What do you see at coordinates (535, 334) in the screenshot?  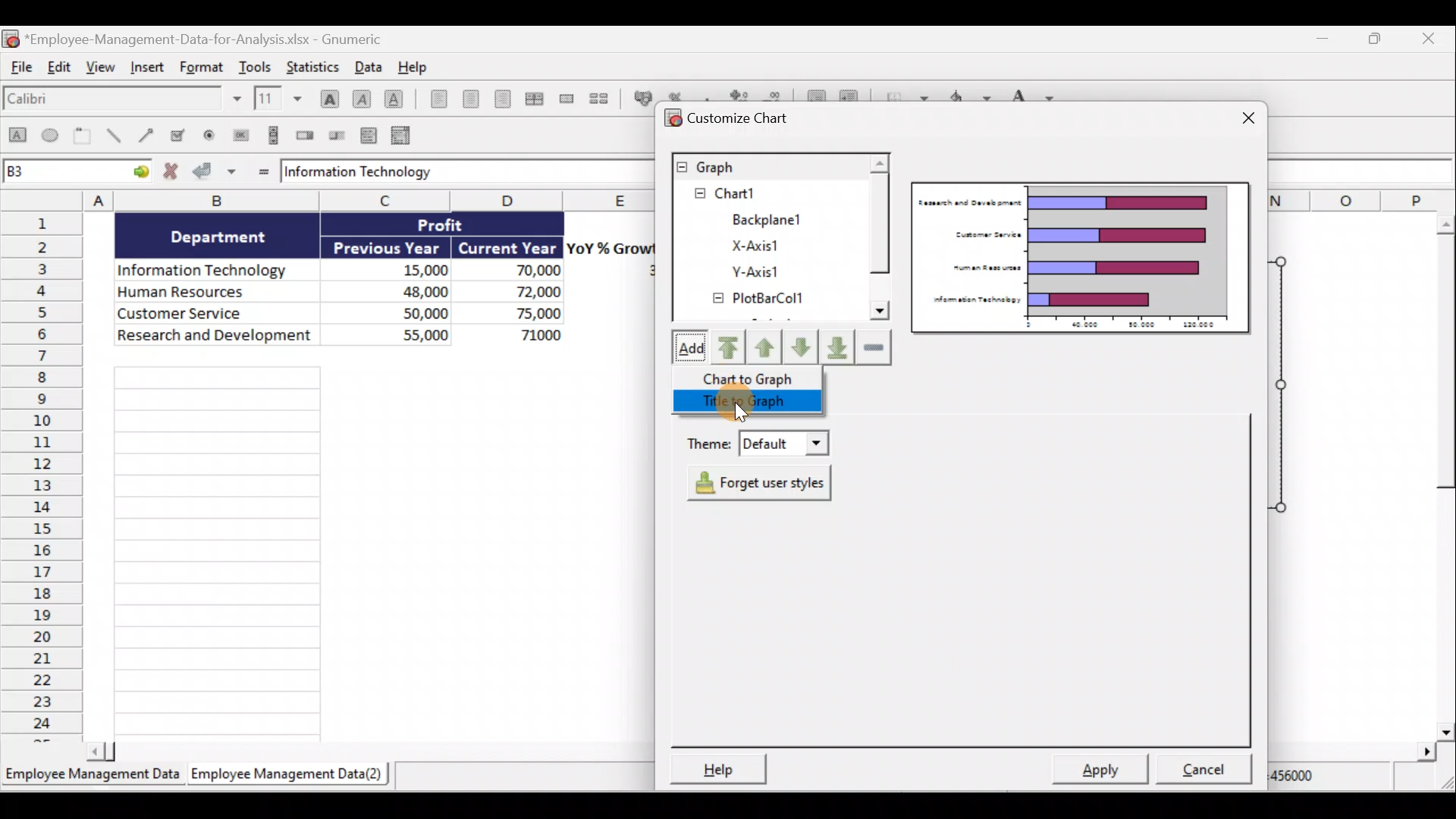 I see `71000` at bounding box center [535, 334].